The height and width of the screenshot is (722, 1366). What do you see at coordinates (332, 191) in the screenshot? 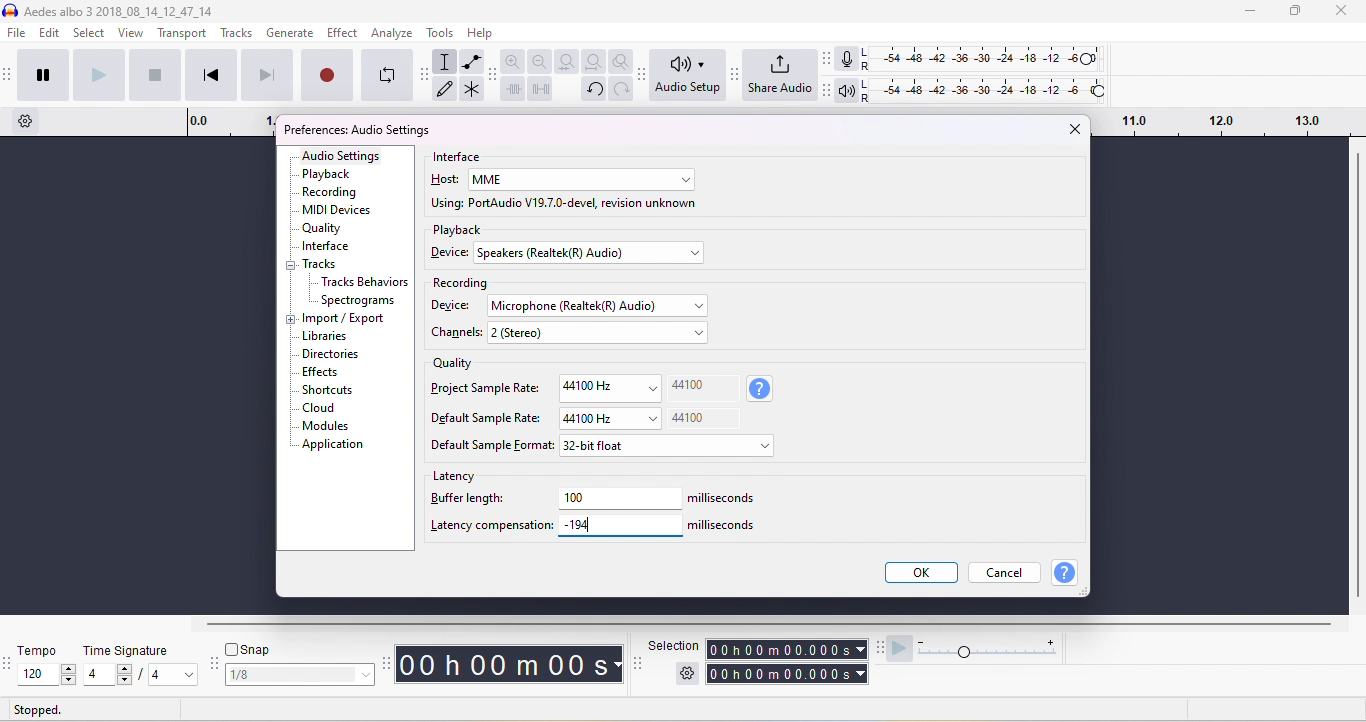
I see `recording` at bounding box center [332, 191].